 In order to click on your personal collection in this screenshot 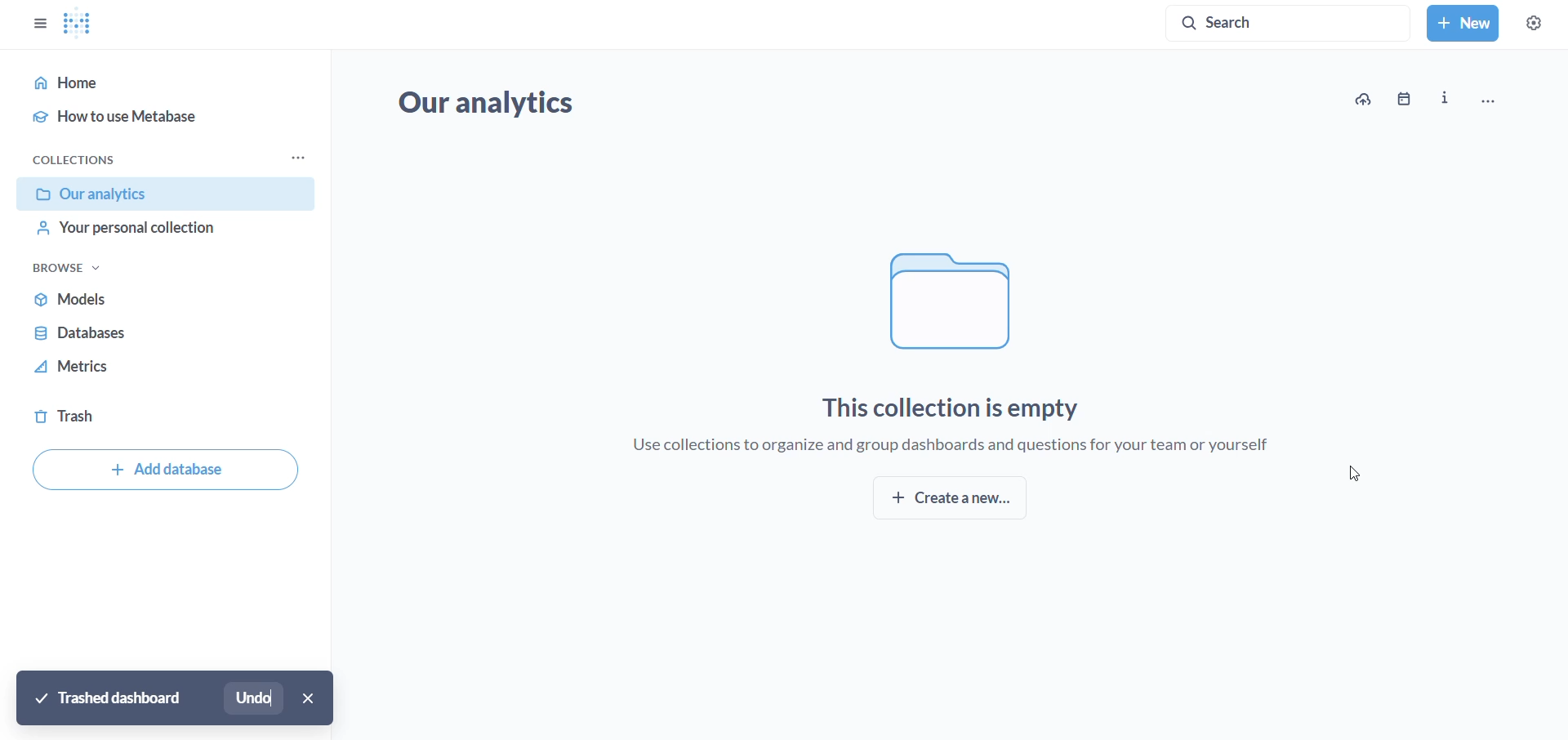, I will do `click(154, 236)`.